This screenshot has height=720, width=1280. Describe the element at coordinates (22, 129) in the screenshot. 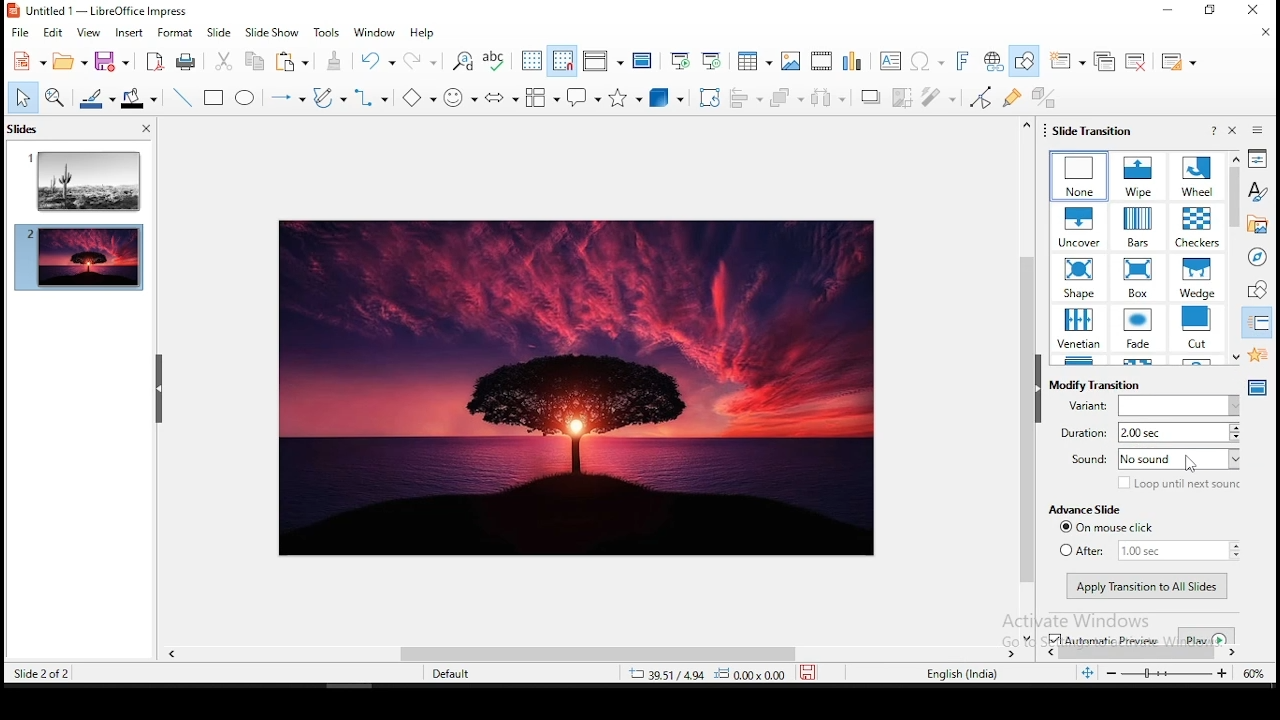

I see `slides` at that location.